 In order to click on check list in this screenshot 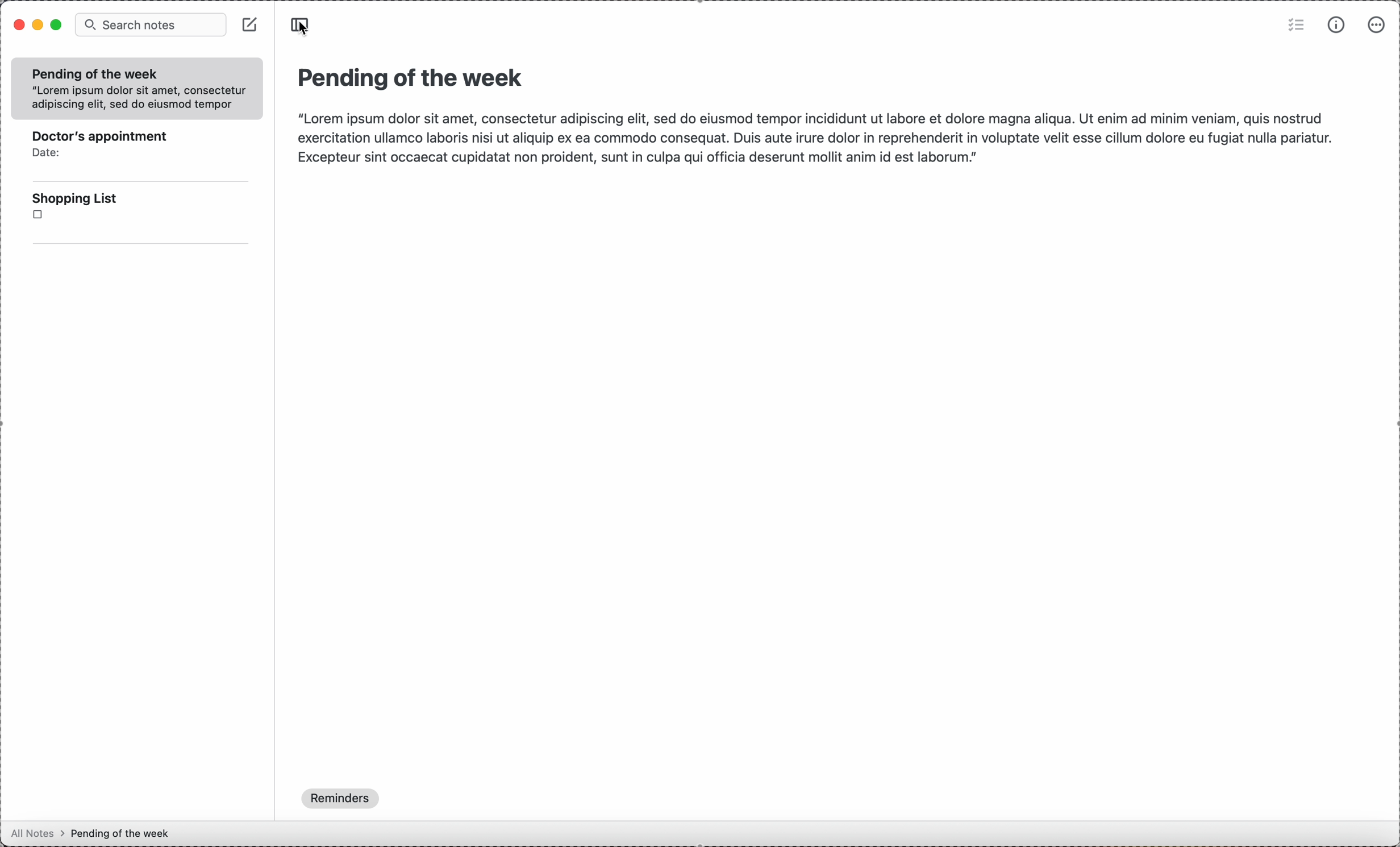, I will do `click(1295, 26)`.